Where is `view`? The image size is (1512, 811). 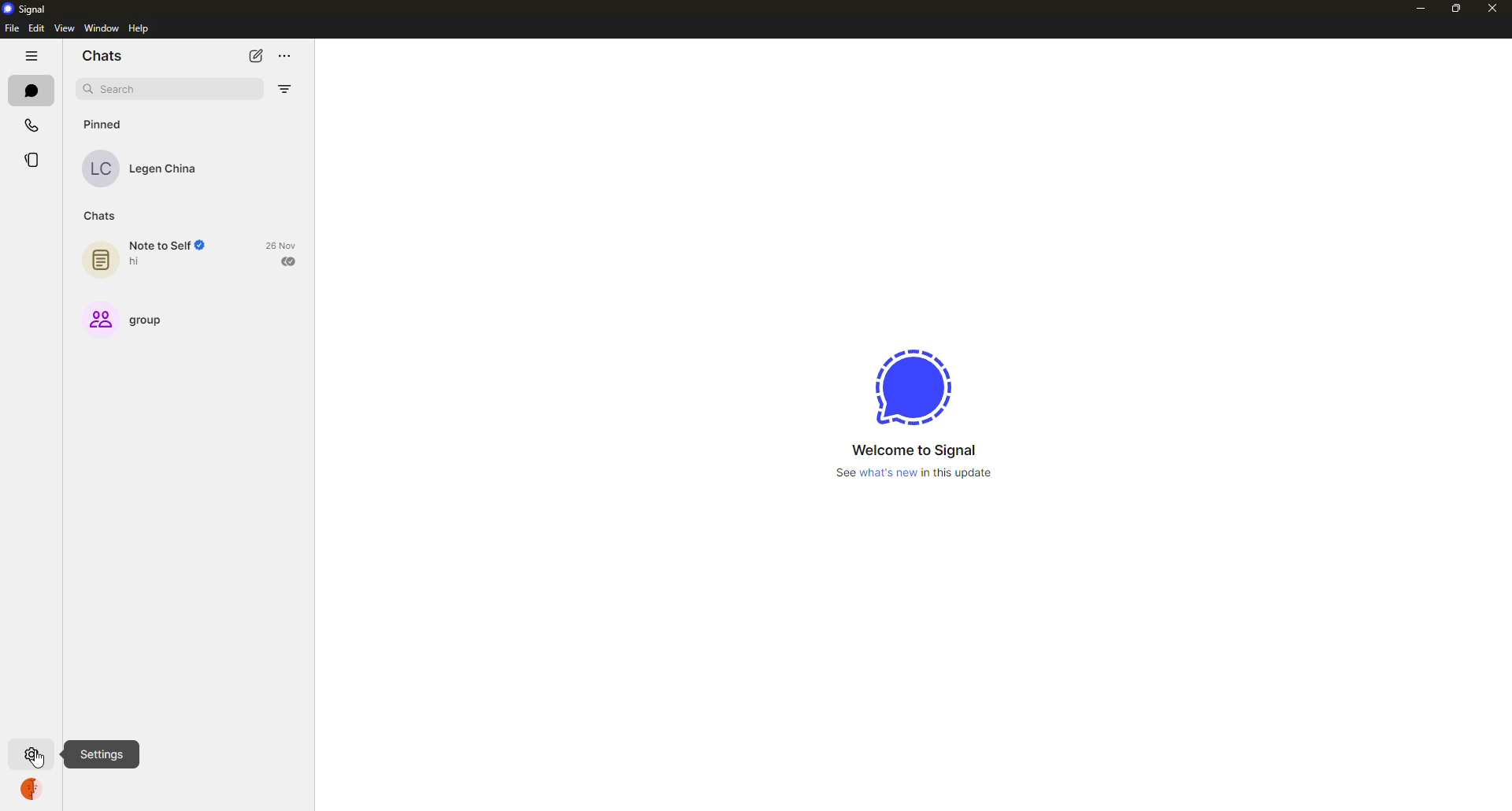
view is located at coordinates (67, 29).